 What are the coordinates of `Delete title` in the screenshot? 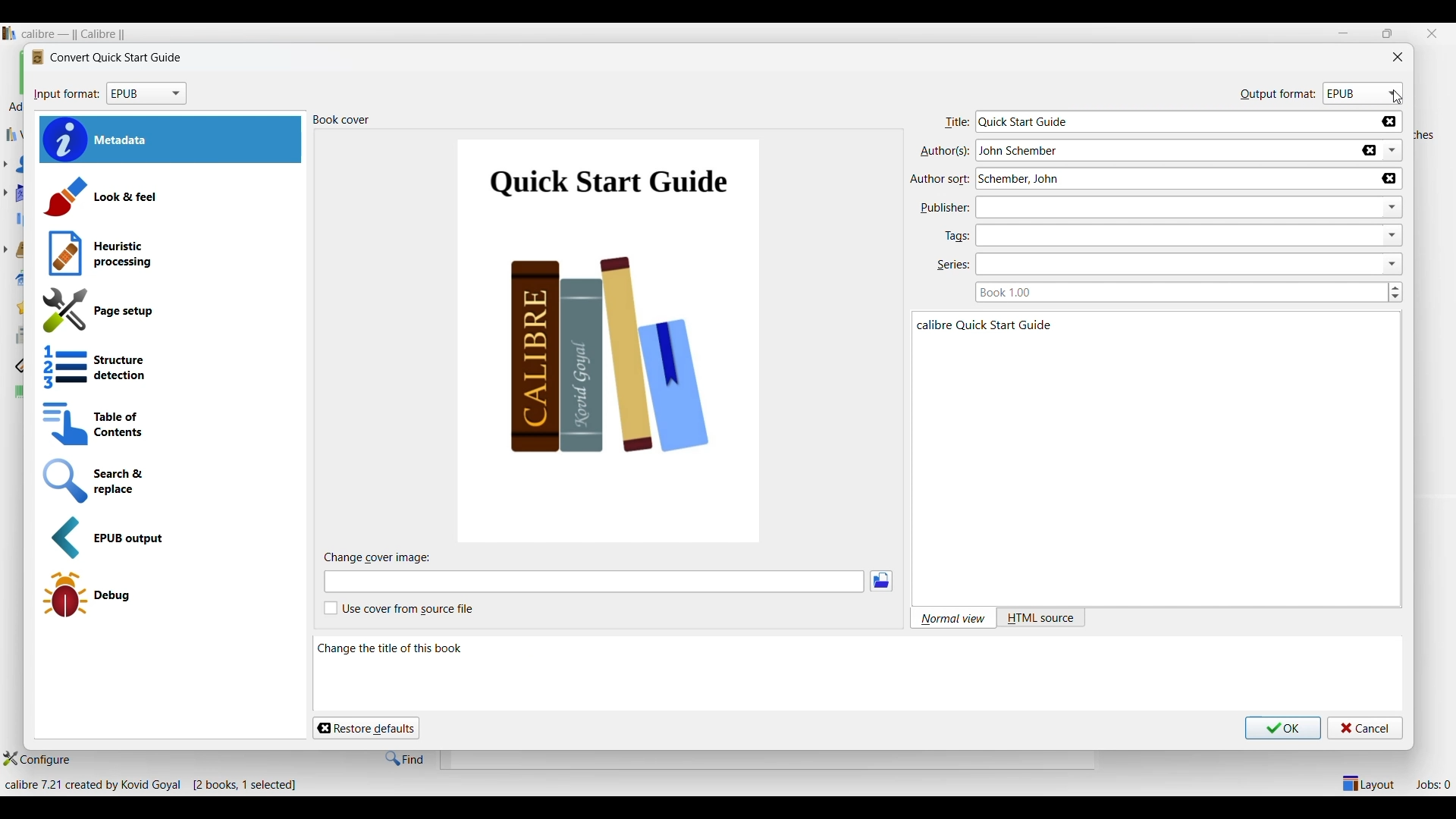 It's located at (1389, 121).